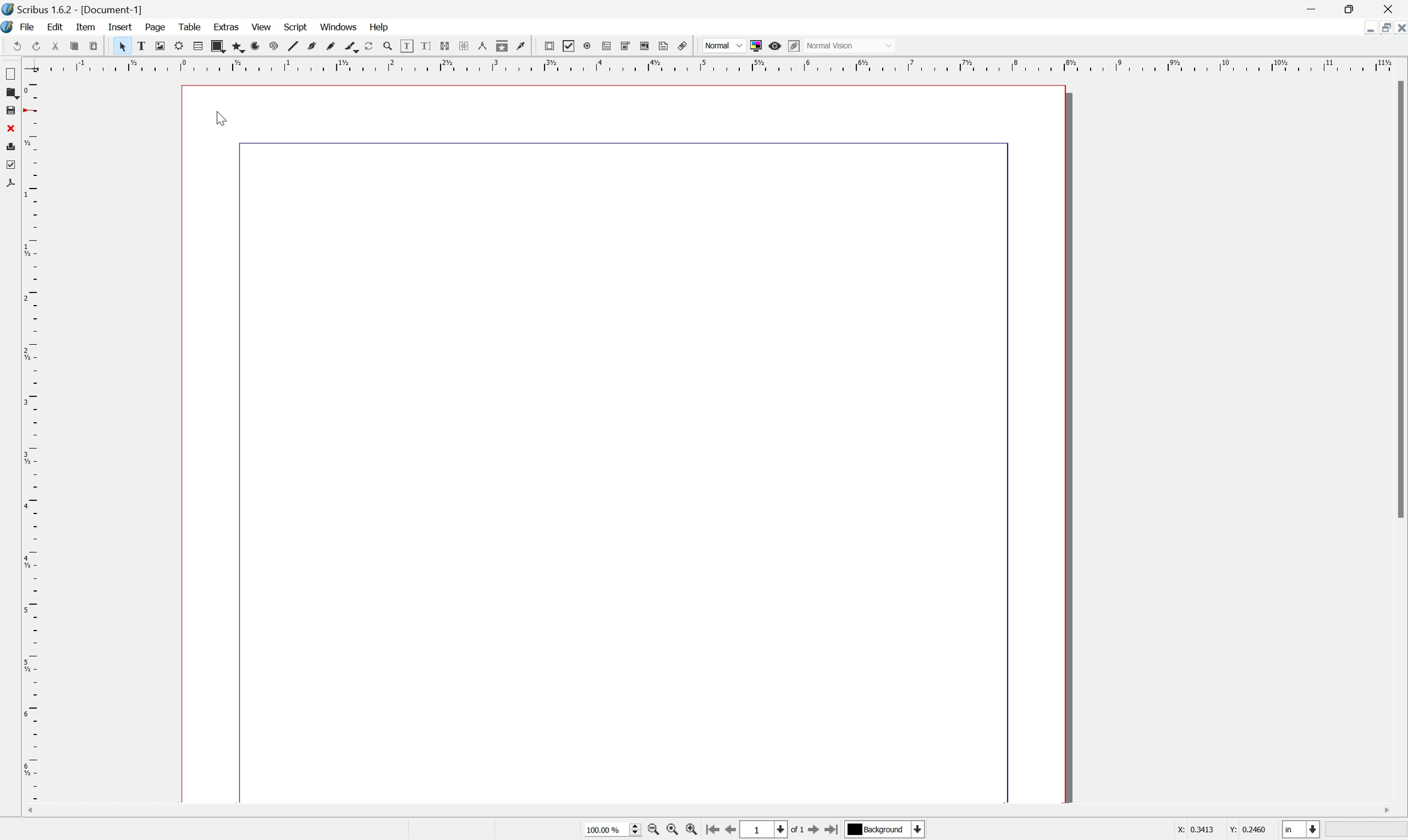 The width and height of the screenshot is (1408, 840). Describe the element at coordinates (624, 47) in the screenshot. I see `measurements` at that location.